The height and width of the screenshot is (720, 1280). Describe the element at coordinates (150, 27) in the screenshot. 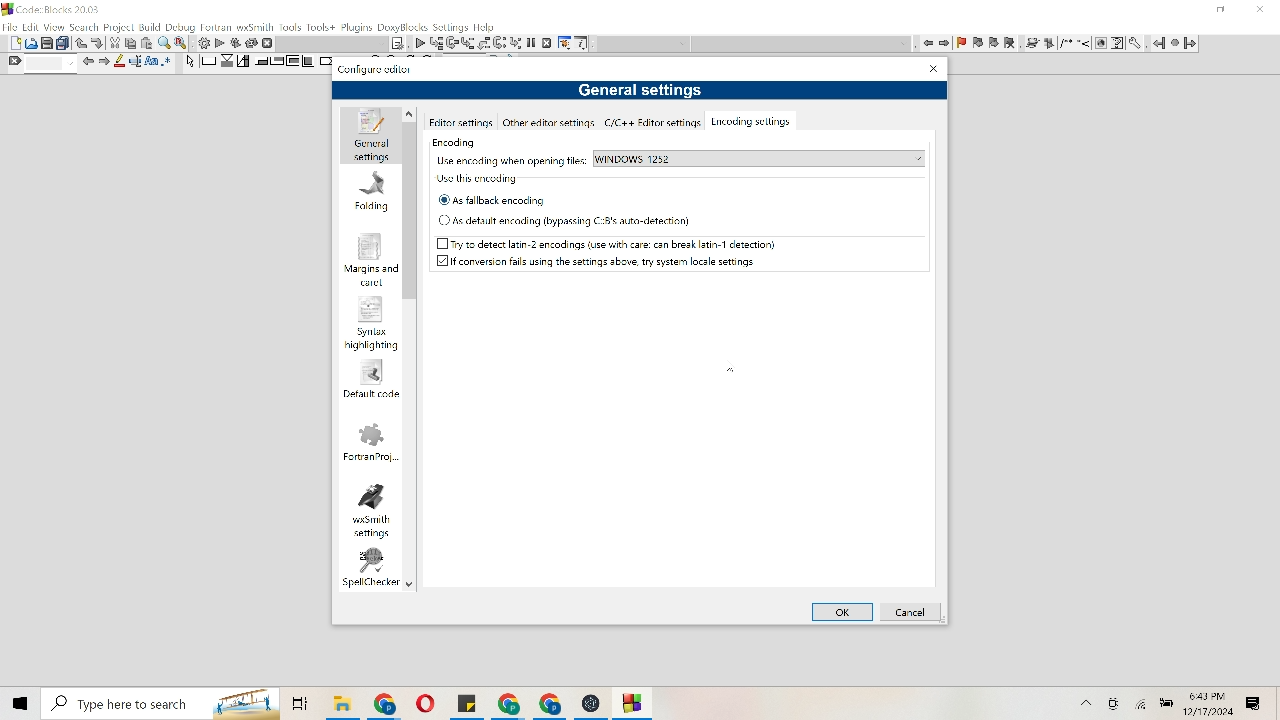

I see `Build` at that location.